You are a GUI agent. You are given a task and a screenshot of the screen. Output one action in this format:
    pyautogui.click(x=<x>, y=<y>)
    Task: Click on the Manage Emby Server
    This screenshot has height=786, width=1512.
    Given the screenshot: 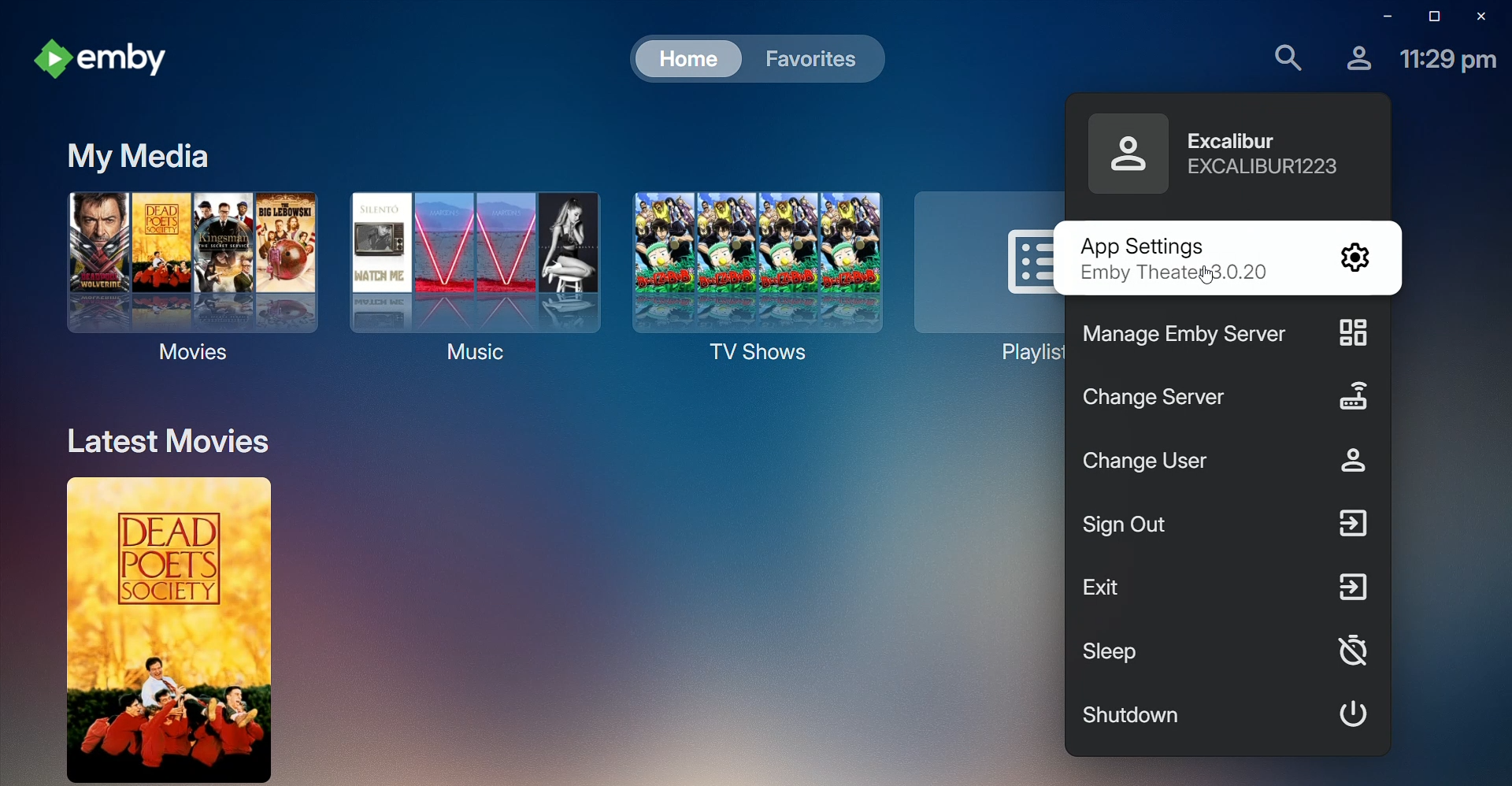 What is the action you would take?
    pyautogui.click(x=1228, y=334)
    